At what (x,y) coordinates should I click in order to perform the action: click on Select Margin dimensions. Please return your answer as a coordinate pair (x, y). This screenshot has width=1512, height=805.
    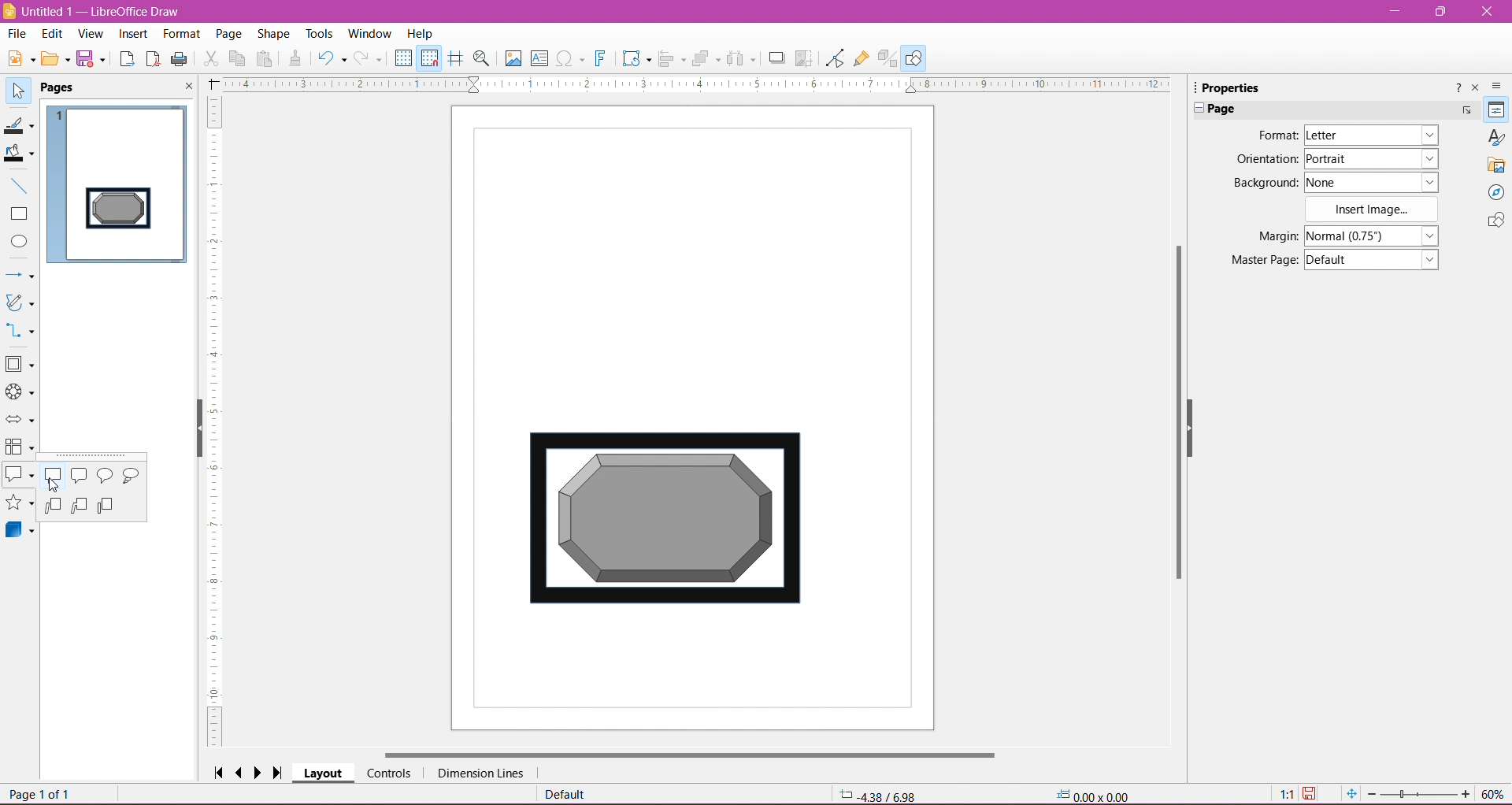
    Looking at the image, I should click on (1370, 236).